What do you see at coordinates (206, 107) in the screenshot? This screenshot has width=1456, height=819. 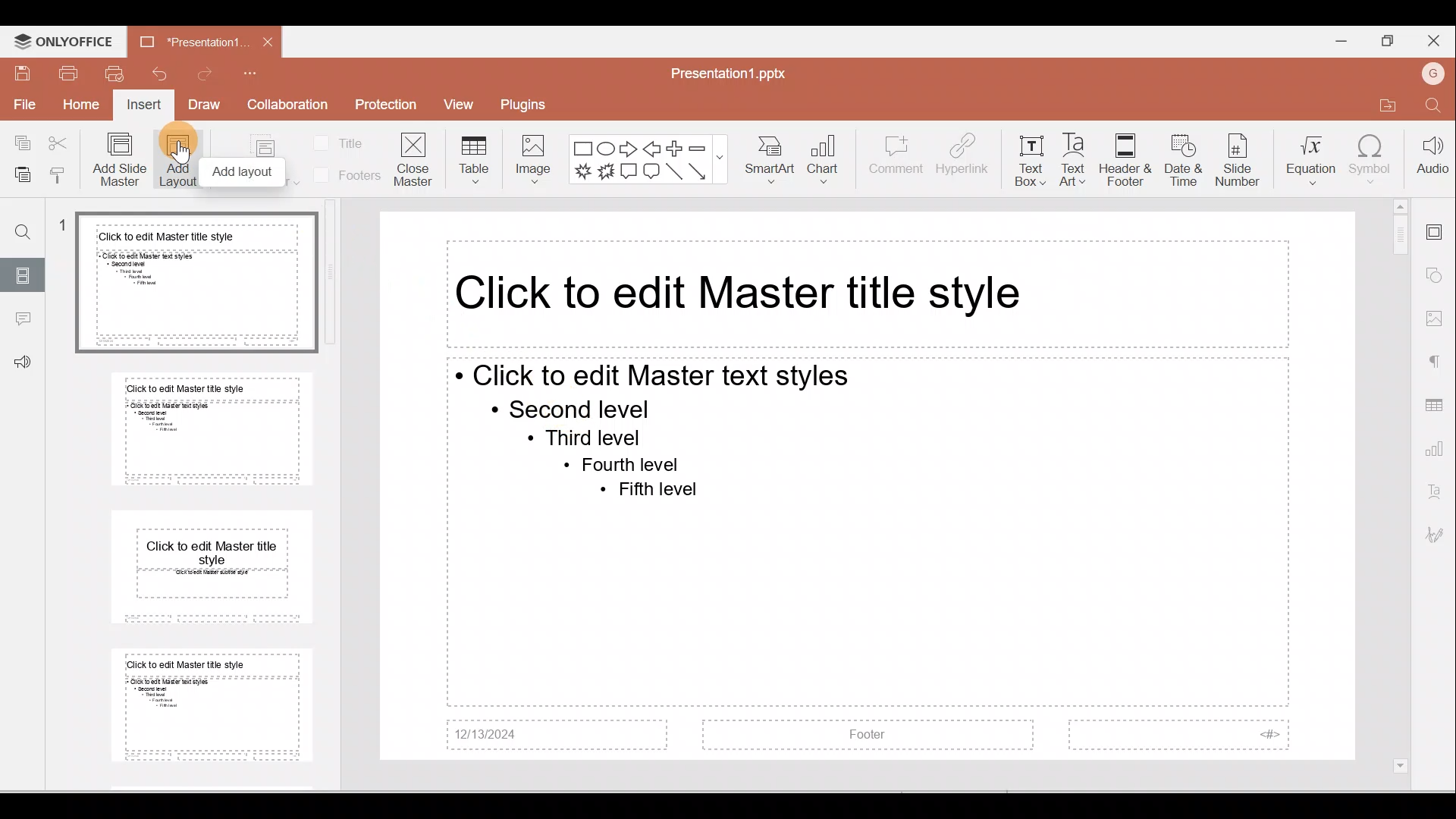 I see `Draw` at bounding box center [206, 107].